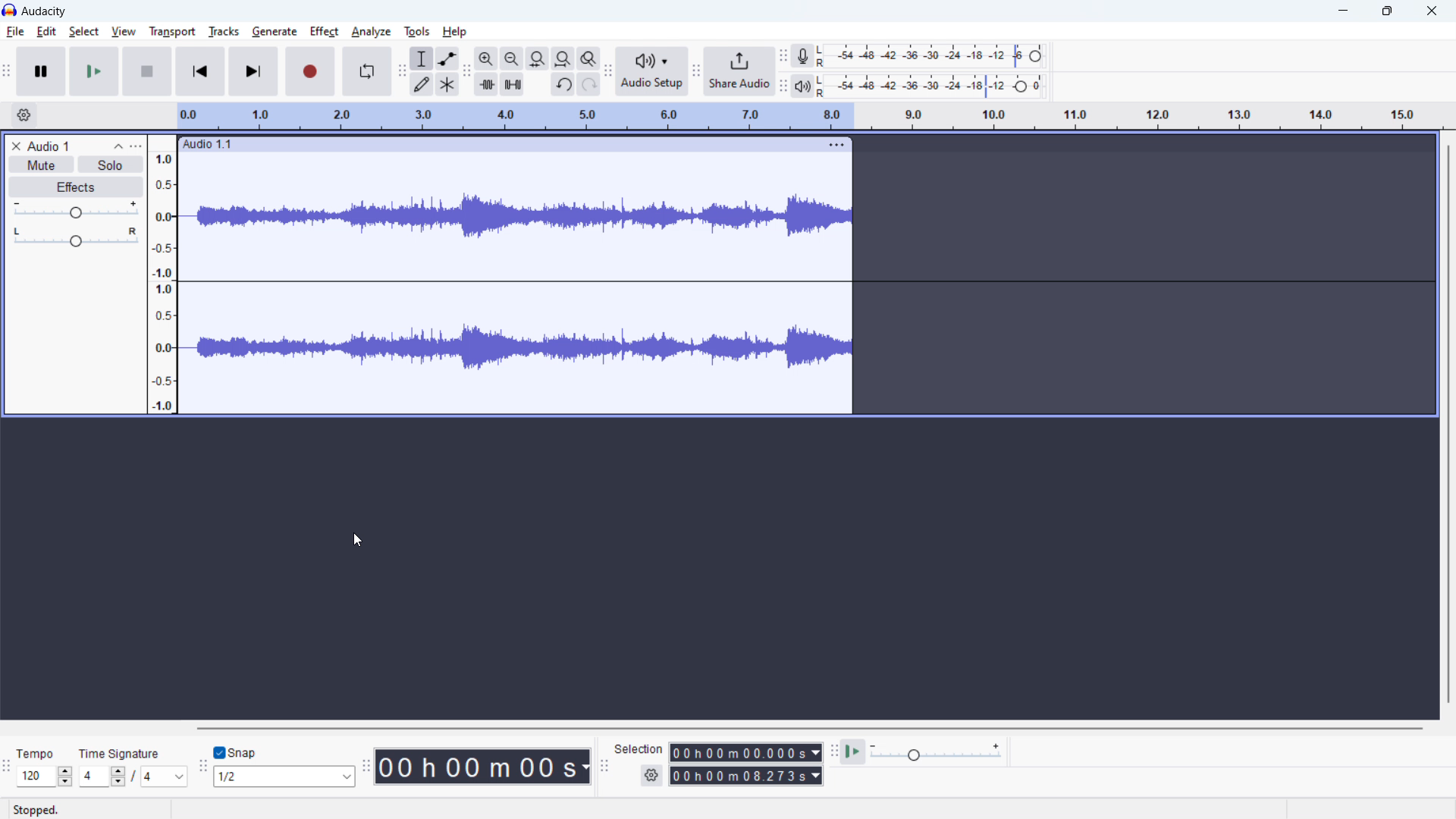 Image resolution: width=1456 pixels, height=819 pixels. I want to click on undo, so click(563, 84).